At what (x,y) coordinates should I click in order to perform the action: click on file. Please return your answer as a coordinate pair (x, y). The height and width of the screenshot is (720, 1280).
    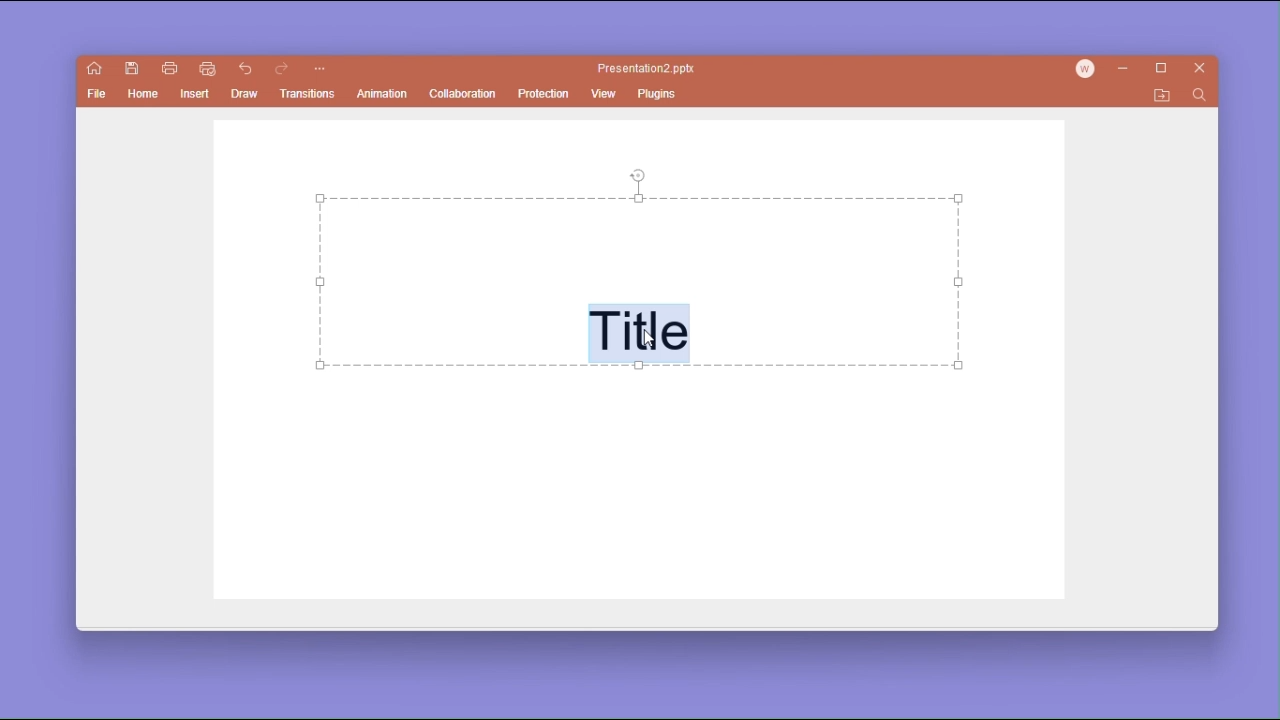
    Looking at the image, I should click on (98, 96).